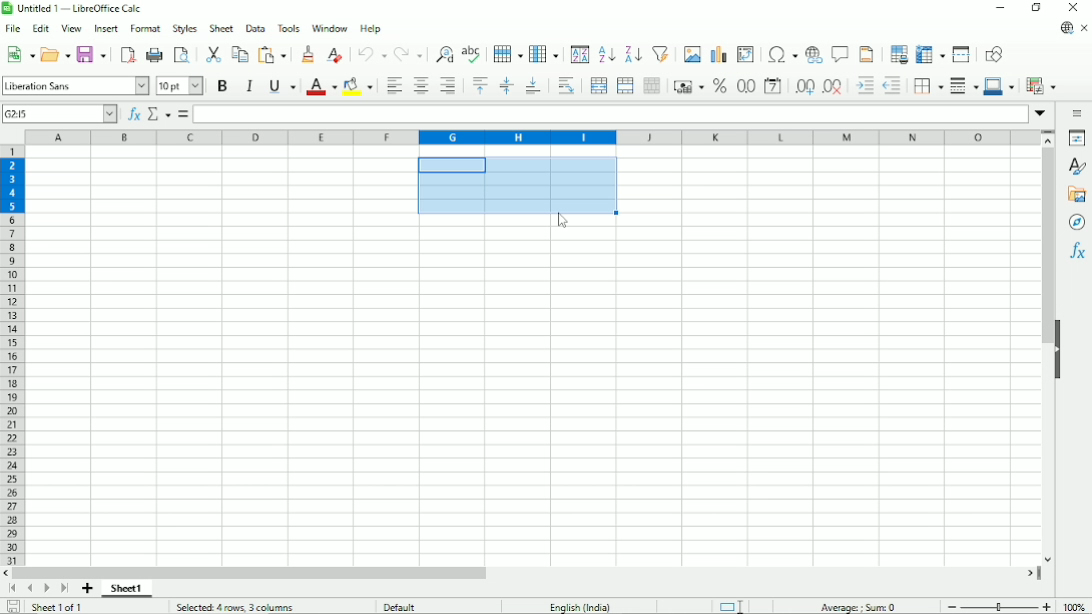 This screenshot has height=614, width=1092. What do you see at coordinates (505, 53) in the screenshot?
I see `Row` at bounding box center [505, 53].